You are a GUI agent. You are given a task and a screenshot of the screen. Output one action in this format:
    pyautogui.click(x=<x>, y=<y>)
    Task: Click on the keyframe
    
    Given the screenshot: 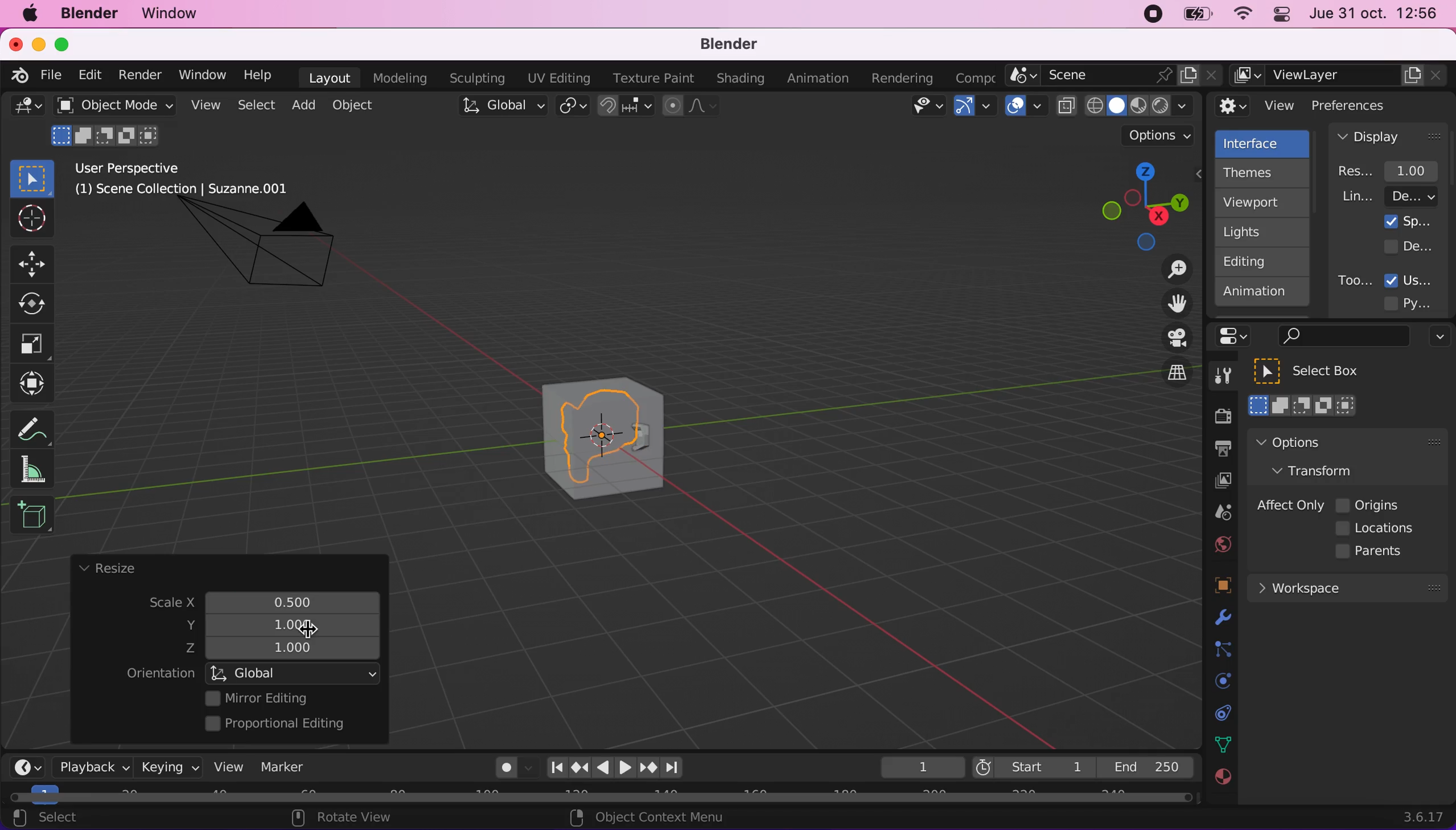 What is the action you would take?
    pyautogui.click(x=921, y=768)
    